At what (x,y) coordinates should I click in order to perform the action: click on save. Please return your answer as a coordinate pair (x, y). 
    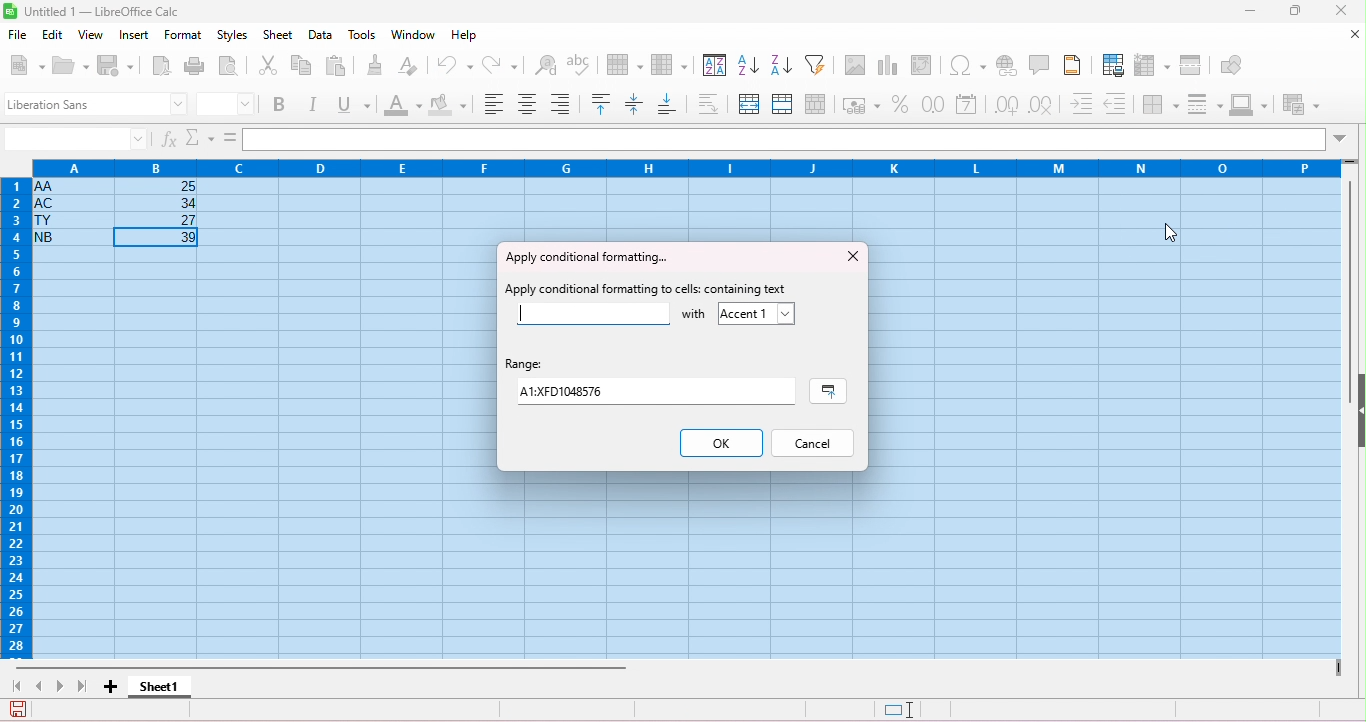
    Looking at the image, I should click on (18, 710).